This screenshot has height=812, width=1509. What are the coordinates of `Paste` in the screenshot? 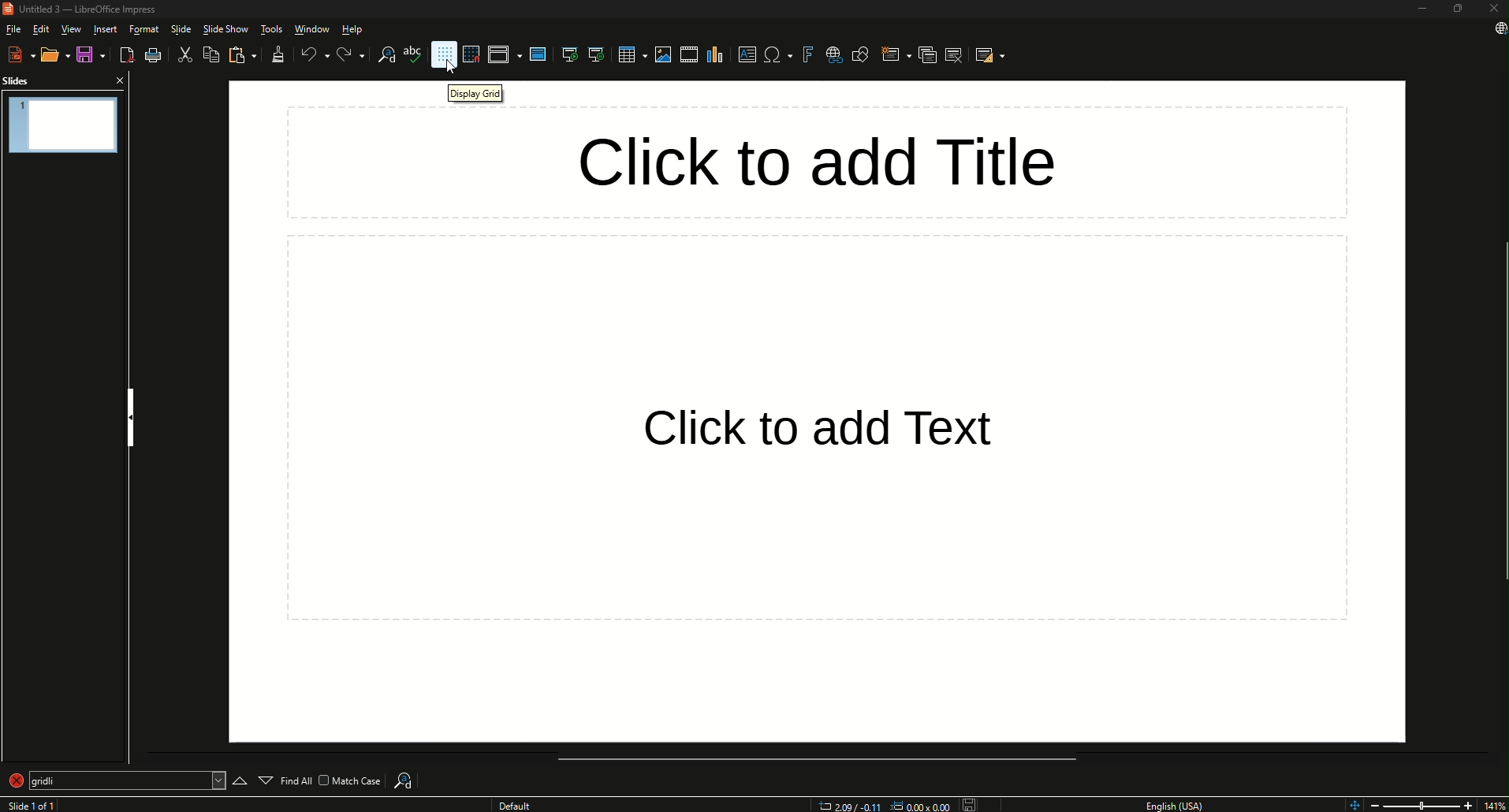 It's located at (241, 56).